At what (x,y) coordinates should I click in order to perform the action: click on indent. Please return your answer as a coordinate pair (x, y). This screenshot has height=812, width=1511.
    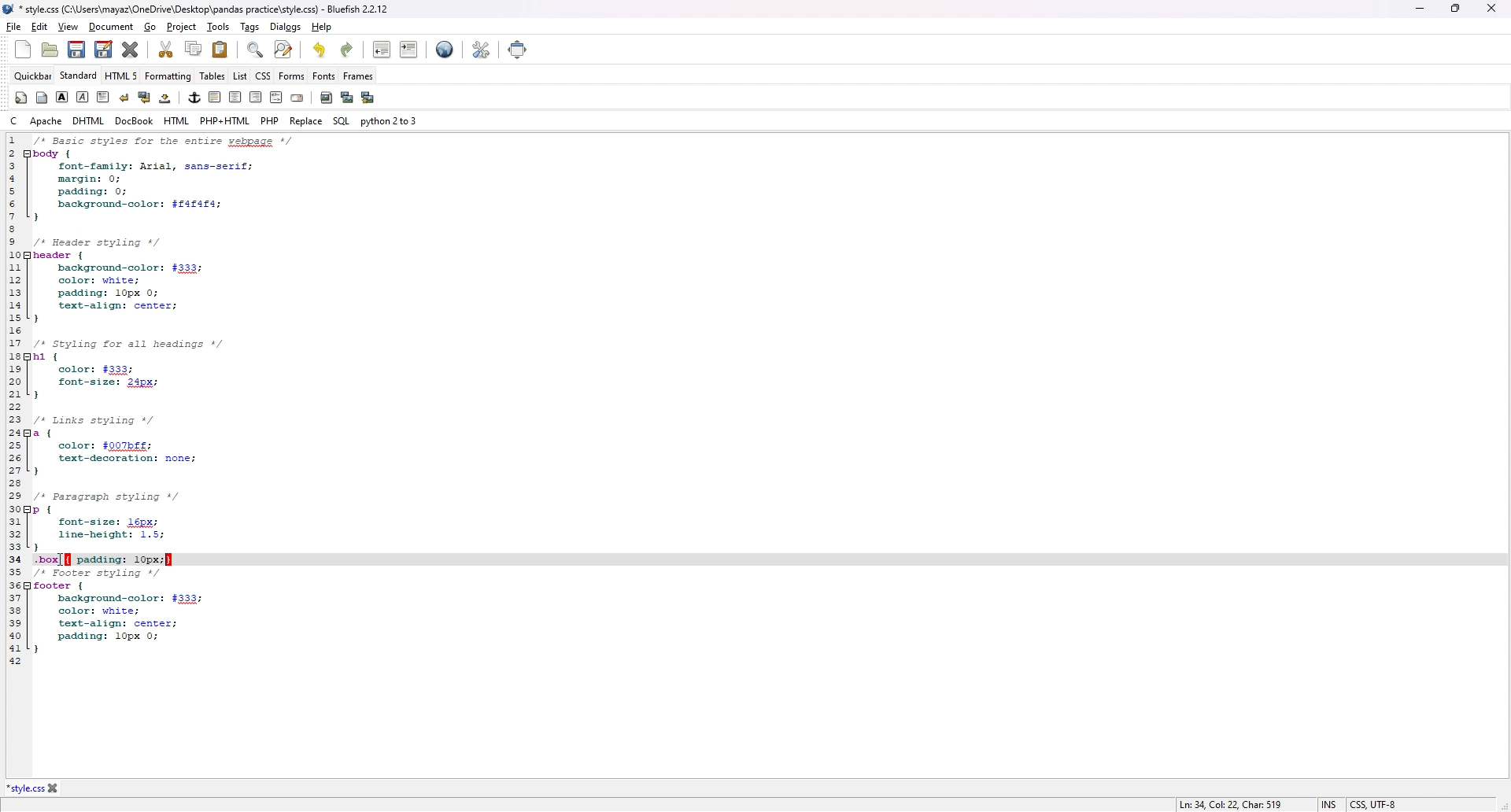
    Looking at the image, I should click on (409, 50).